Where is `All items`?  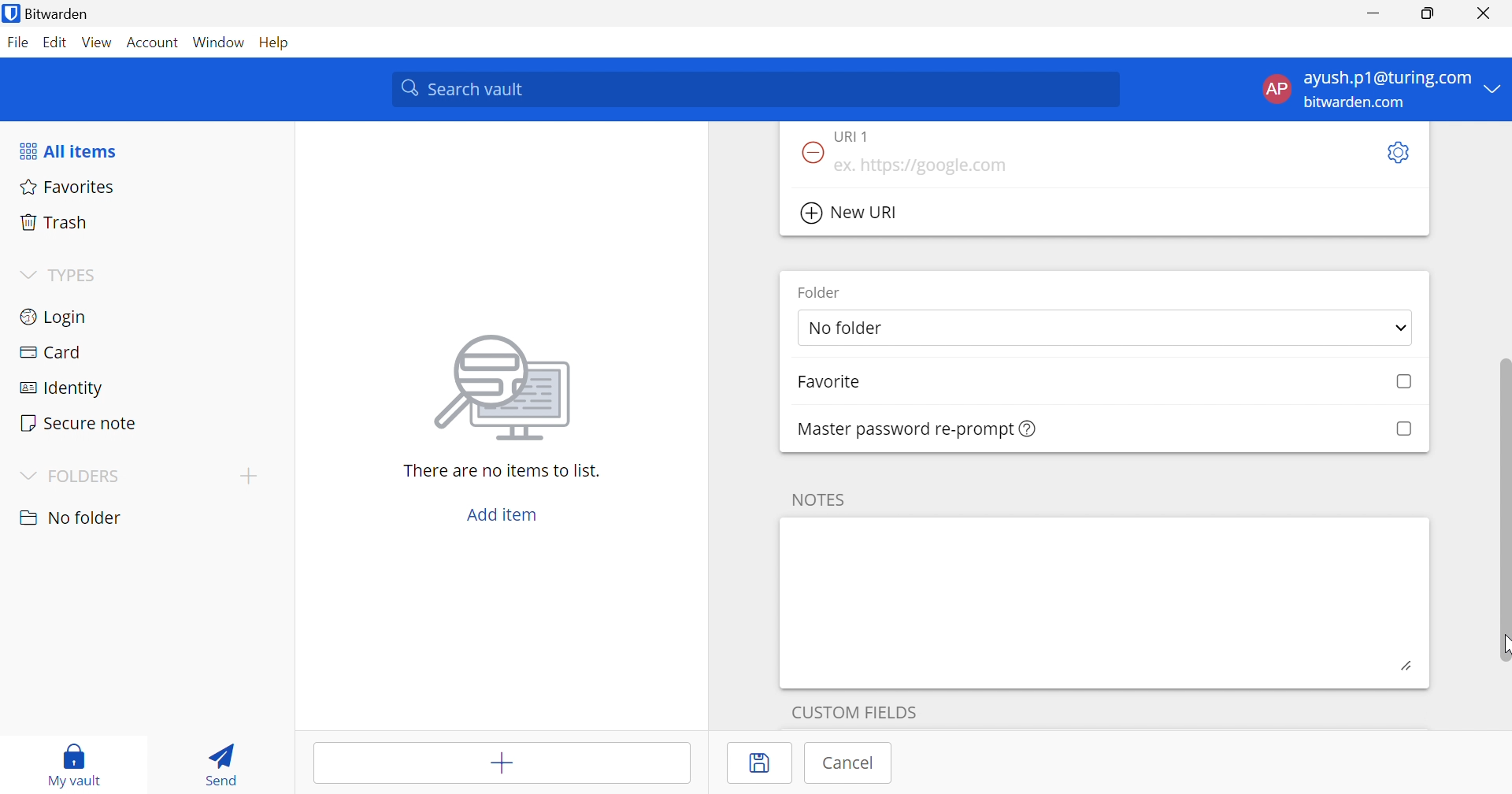 All items is located at coordinates (67, 151).